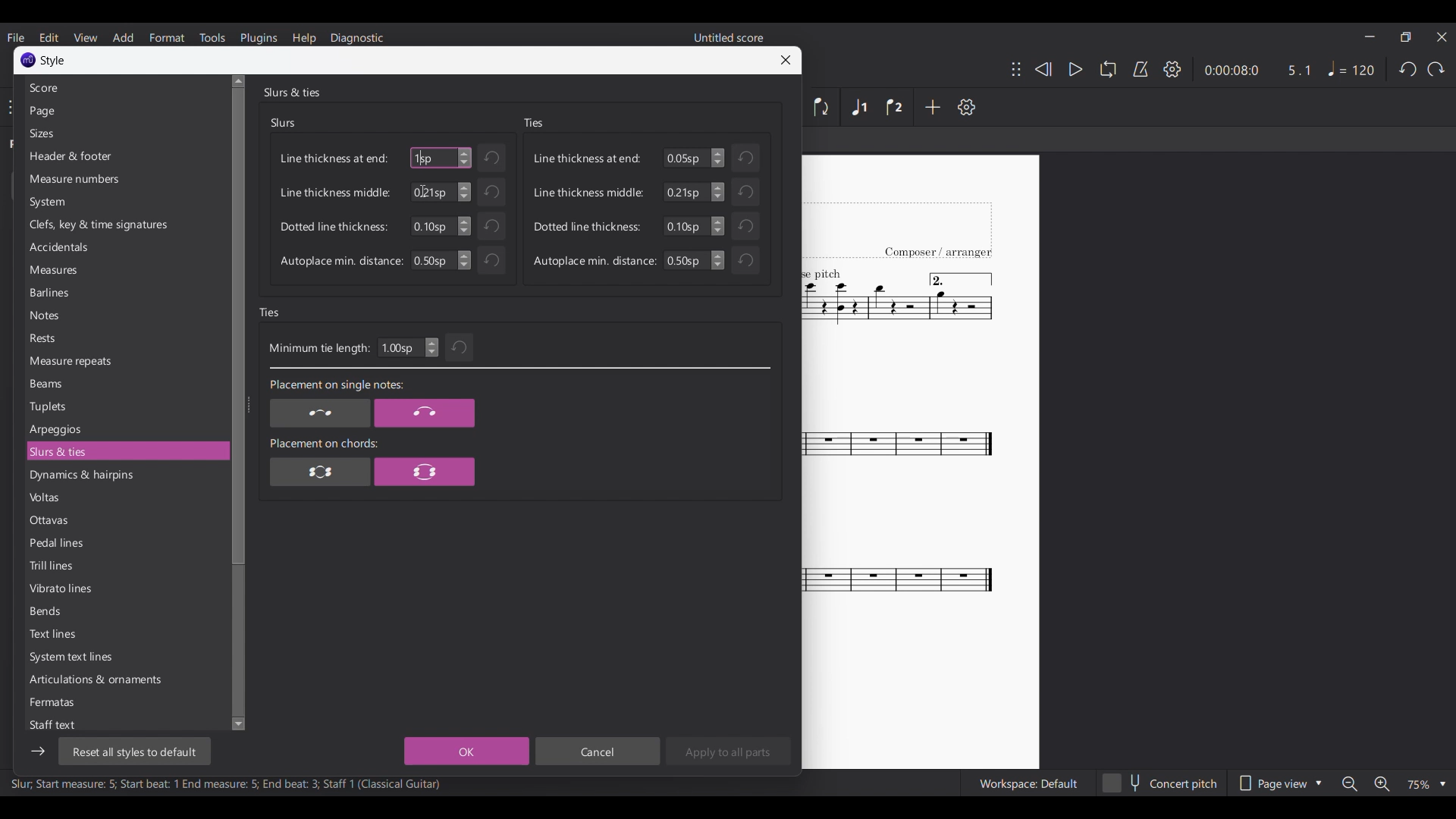 The height and width of the screenshot is (819, 1456). I want to click on Settings, so click(967, 107).